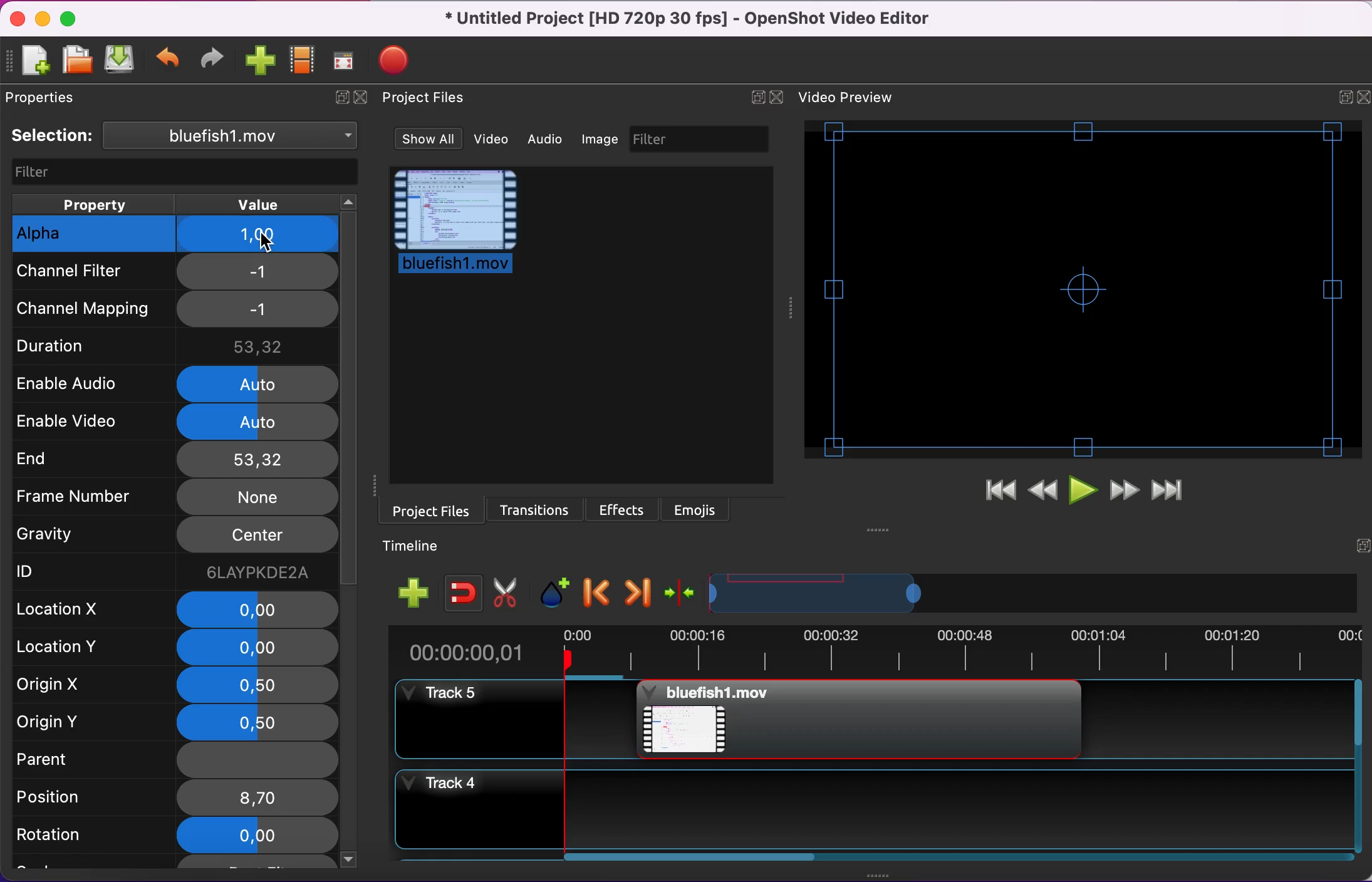  I want to click on project file, so click(457, 222).